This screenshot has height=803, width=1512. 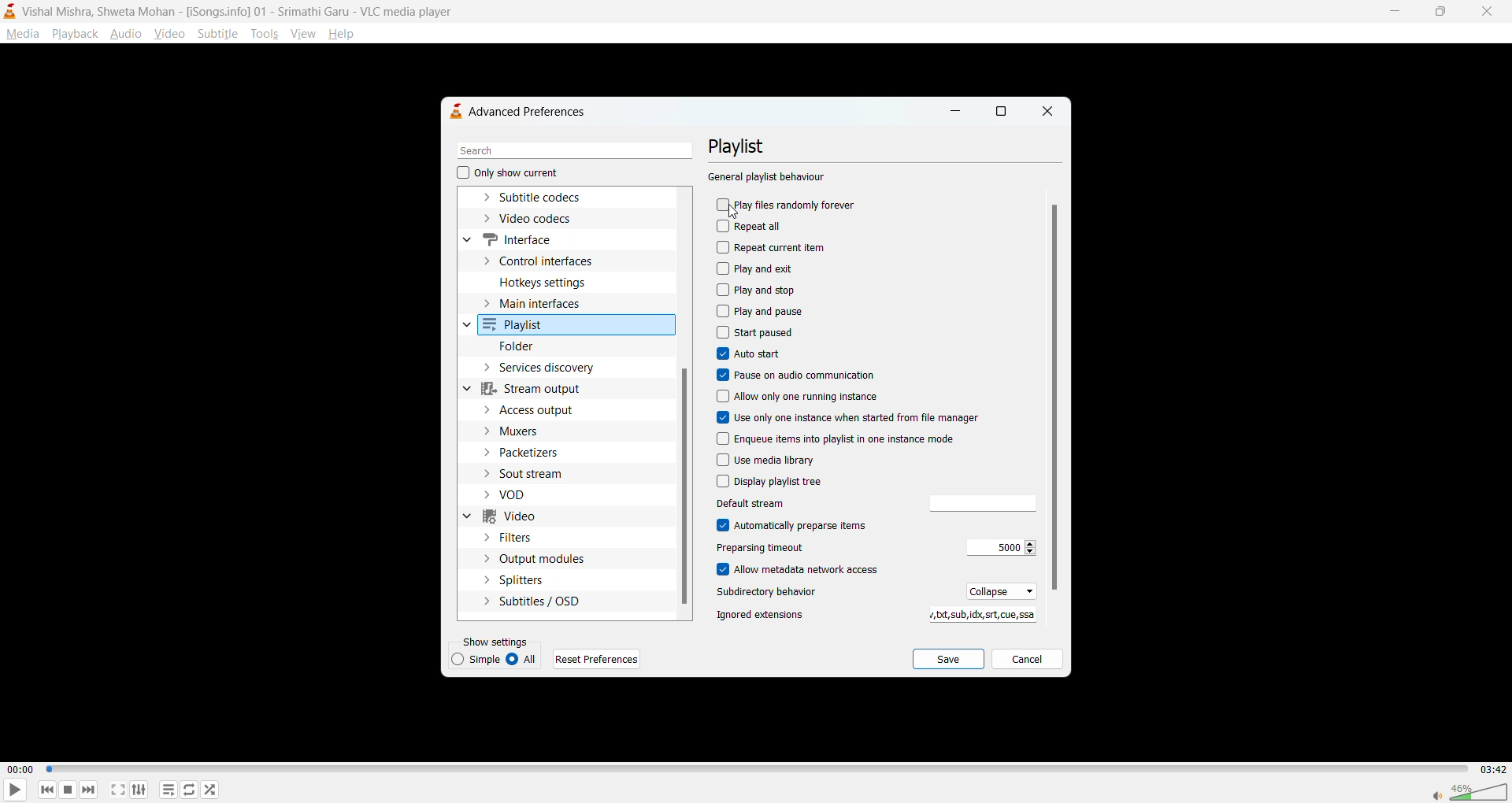 What do you see at coordinates (535, 409) in the screenshot?
I see `access output` at bounding box center [535, 409].